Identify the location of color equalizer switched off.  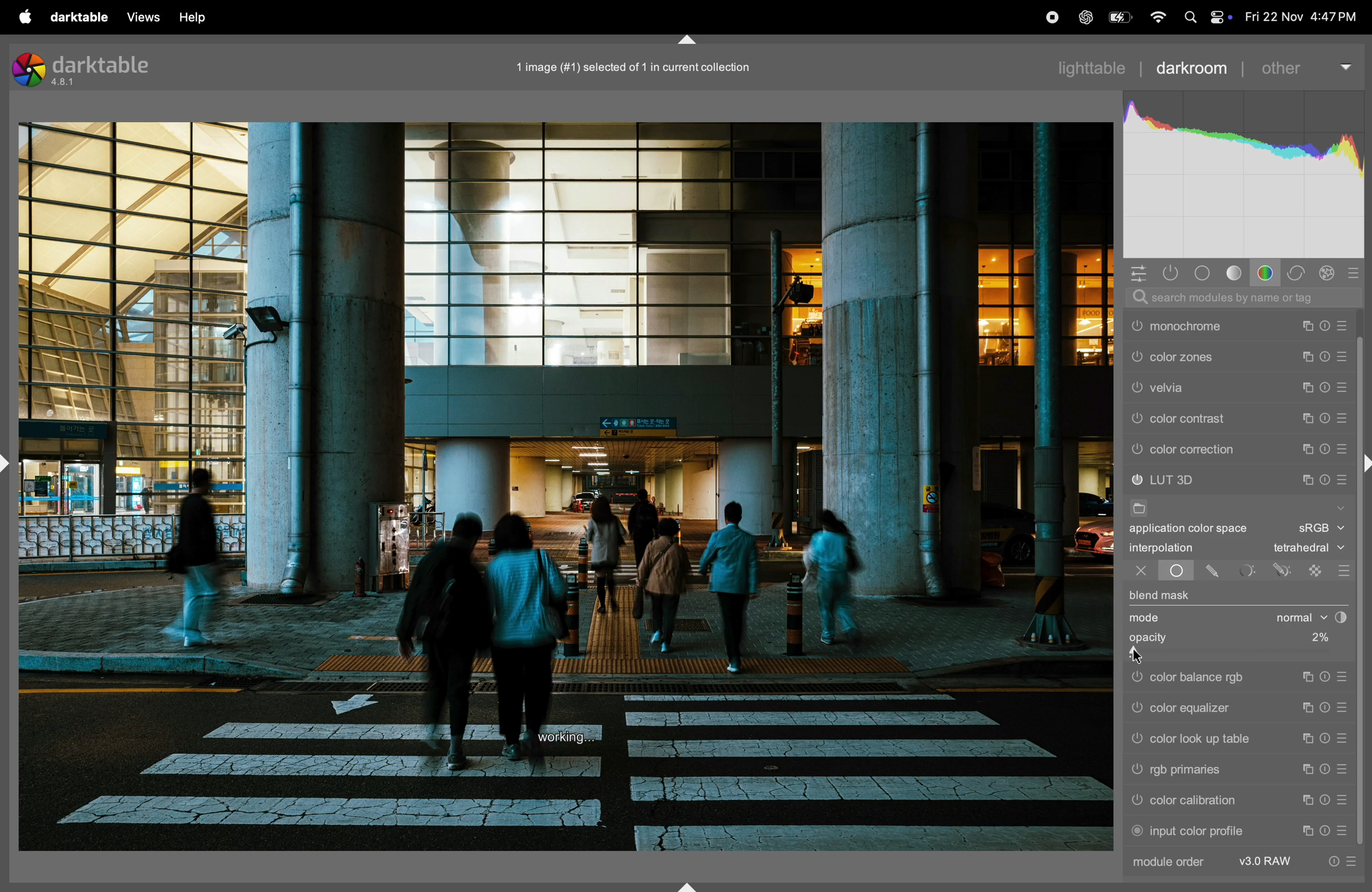
(1135, 712).